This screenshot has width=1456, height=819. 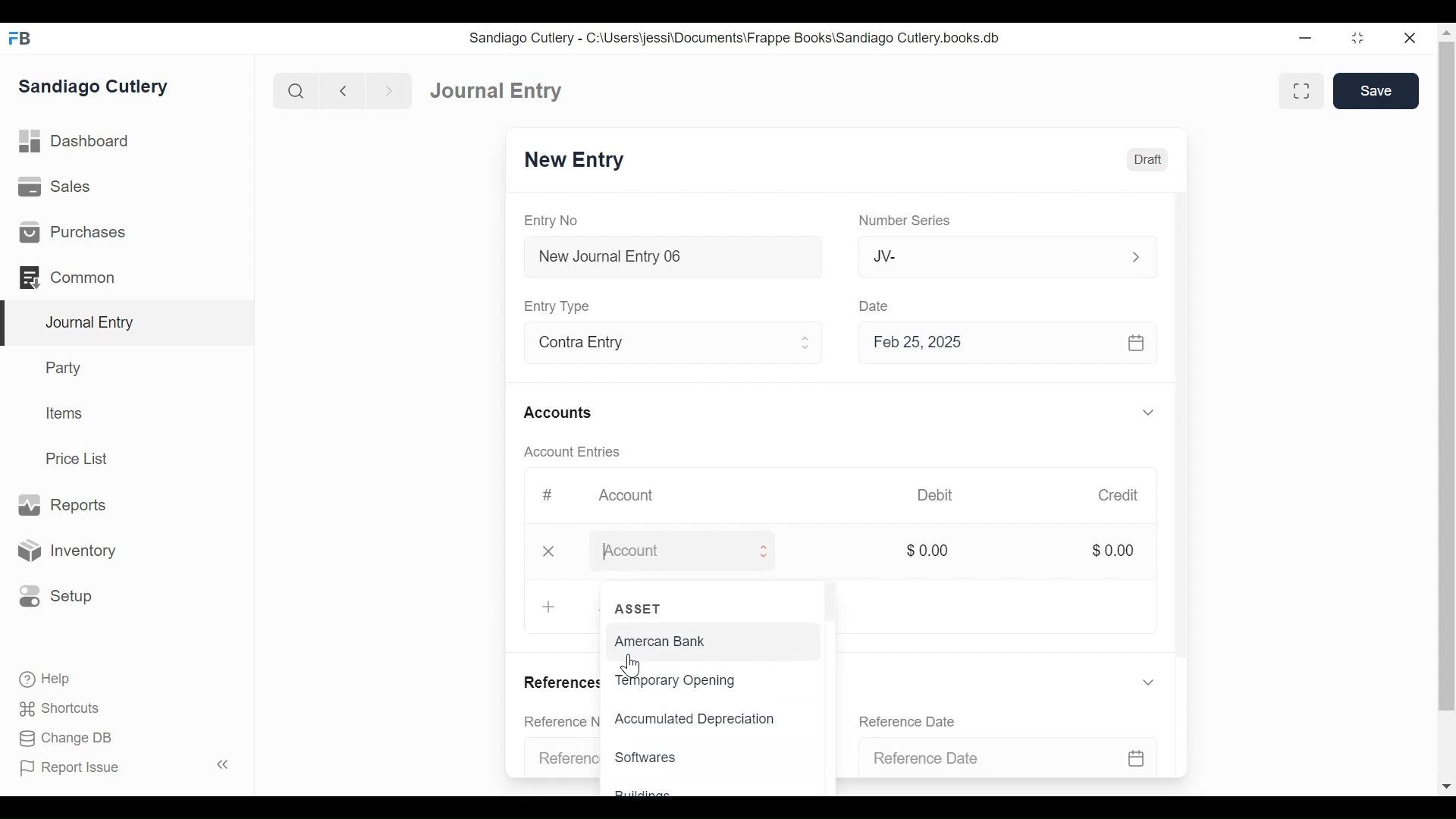 What do you see at coordinates (21, 39) in the screenshot?
I see `Frappe Books Desktop icon` at bounding box center [21, 39].